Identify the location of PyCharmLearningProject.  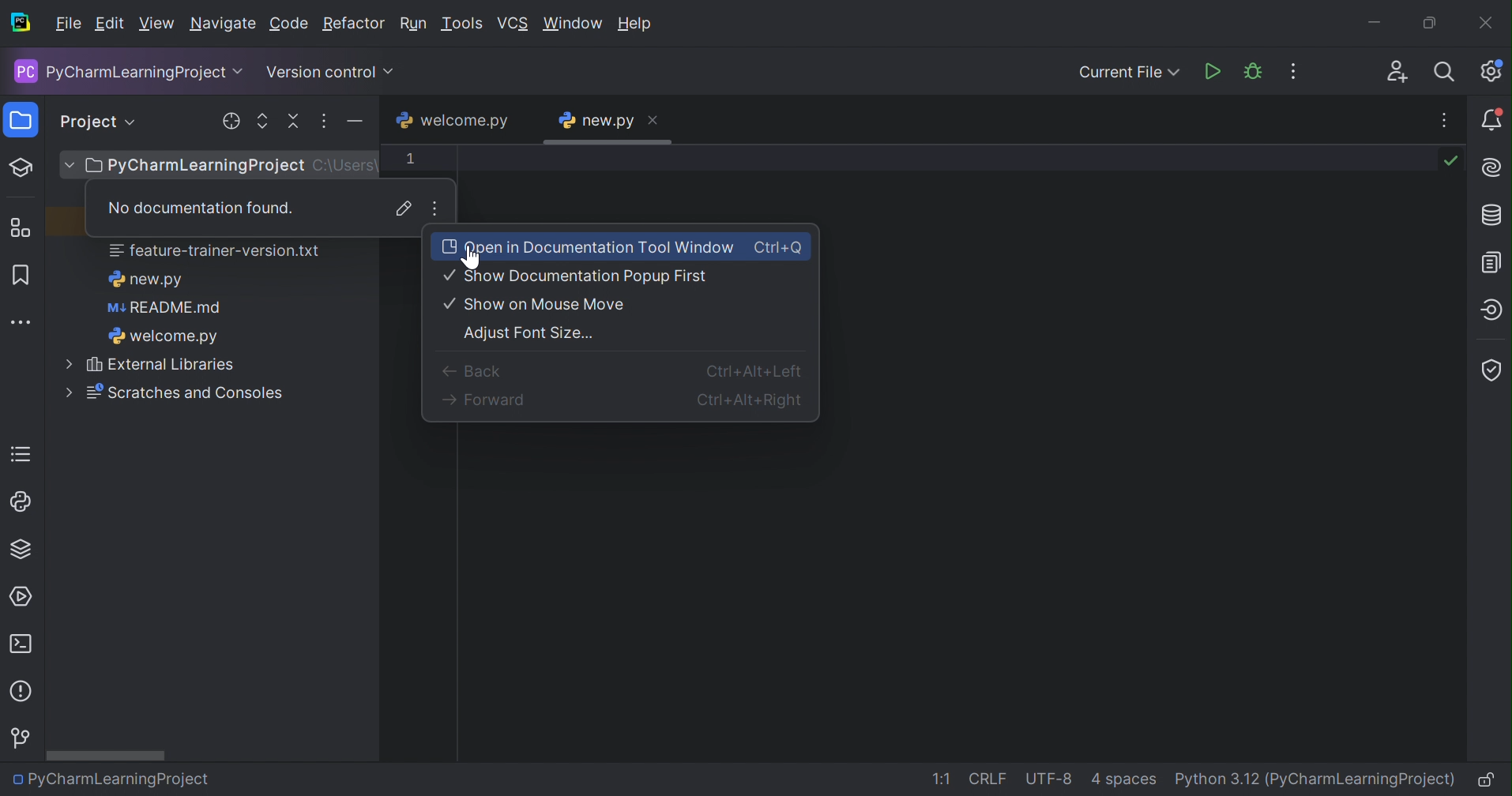
(181, 167).